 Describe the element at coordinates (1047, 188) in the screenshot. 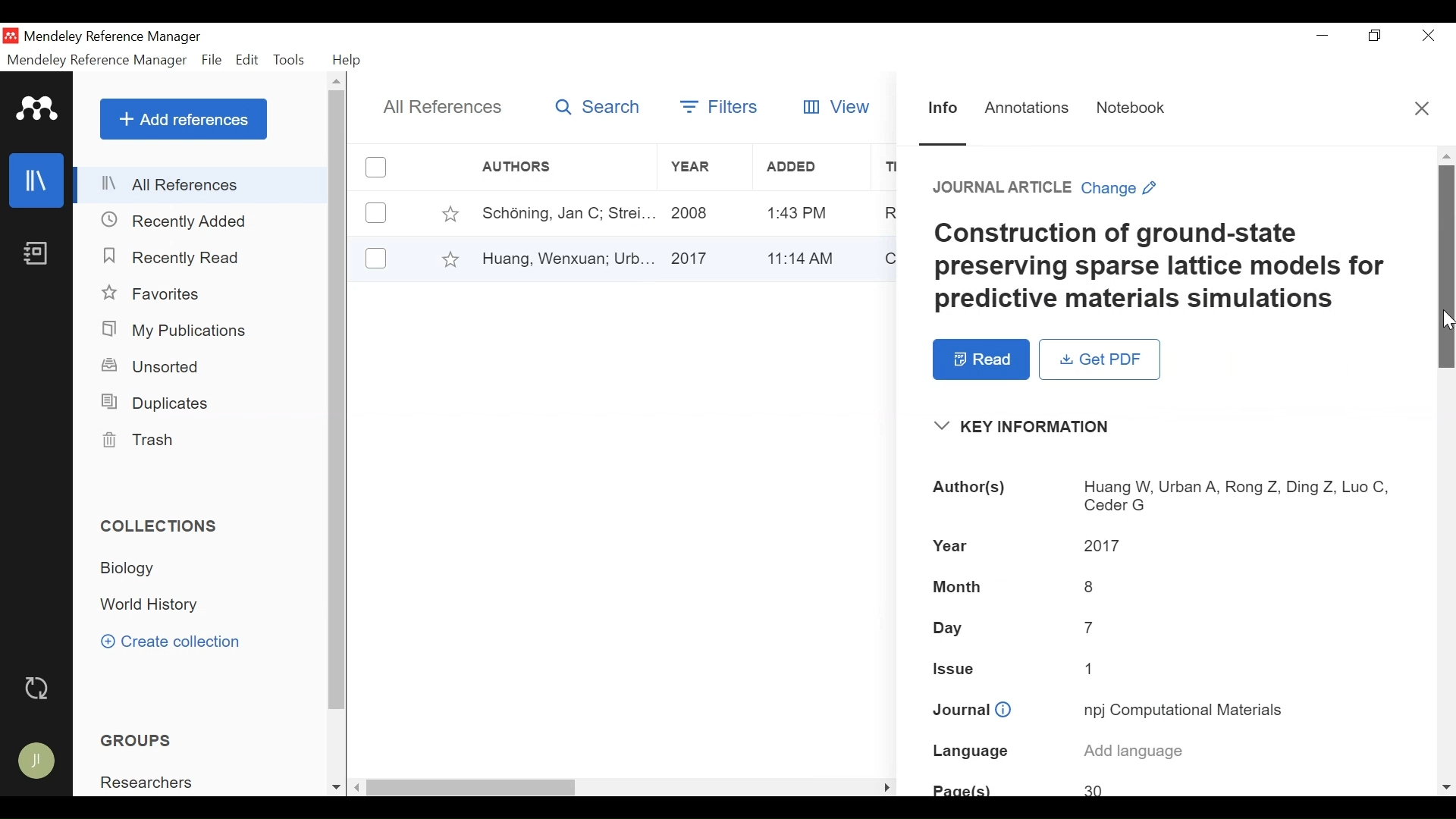

I see `Change Reference Type` at that location.